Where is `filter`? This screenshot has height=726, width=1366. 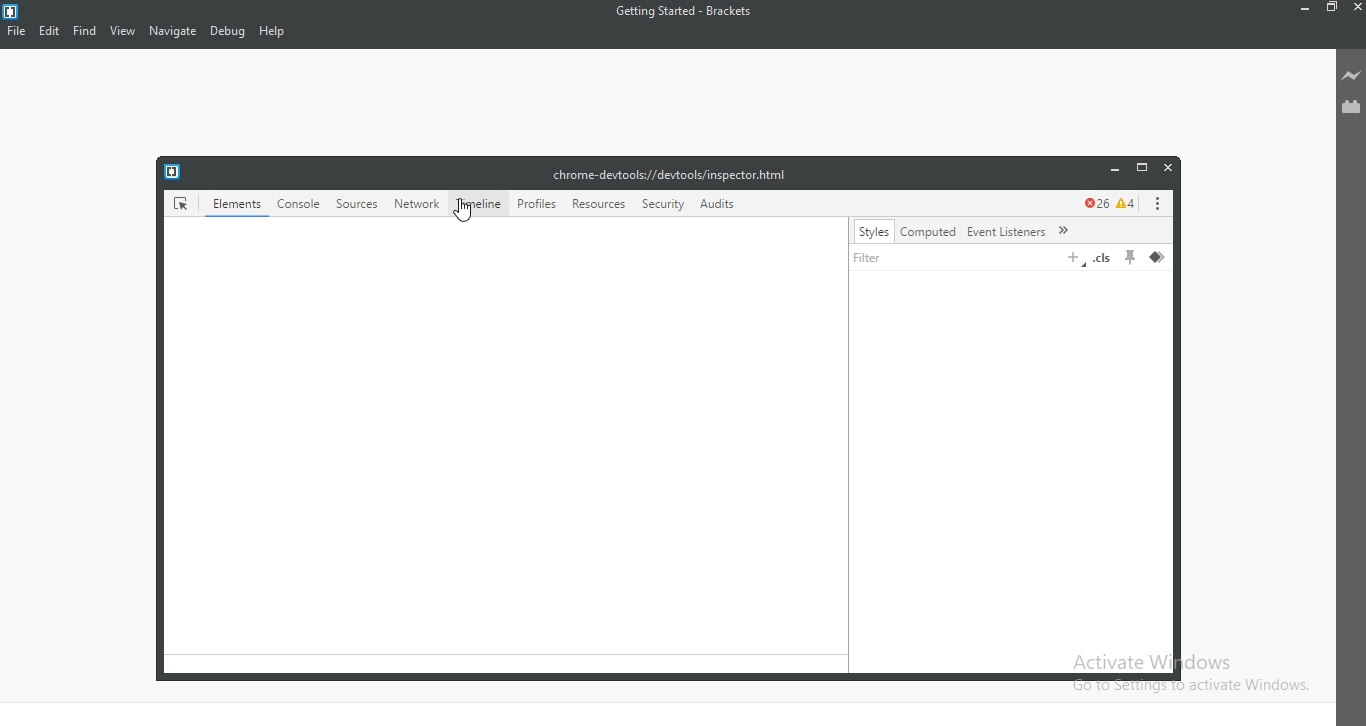 filter is located at coordinates (954, 259).